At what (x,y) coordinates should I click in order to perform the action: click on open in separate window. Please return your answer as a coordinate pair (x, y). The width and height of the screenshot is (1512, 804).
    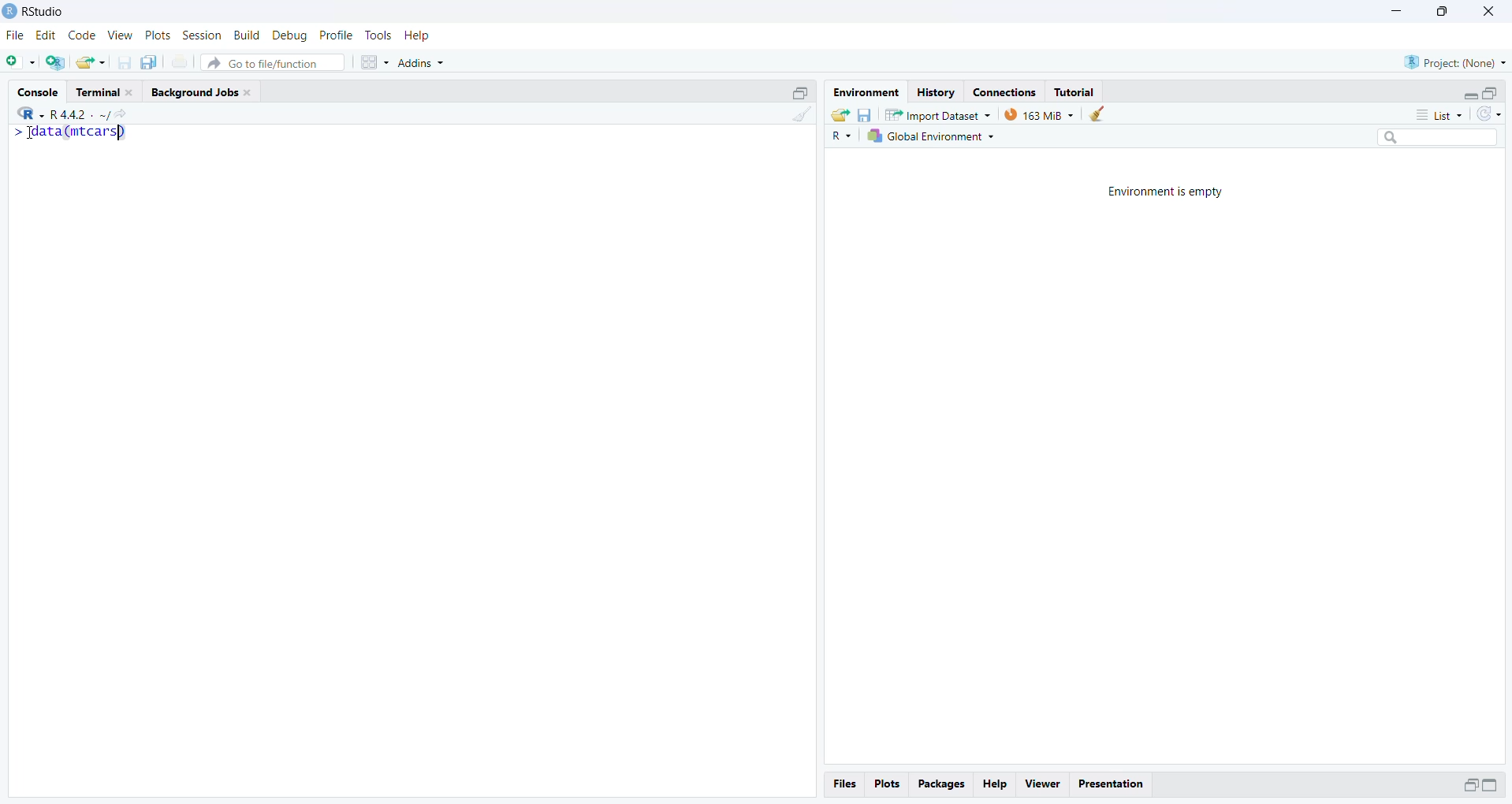
    Looking at the image, I should click on (1472, 784).